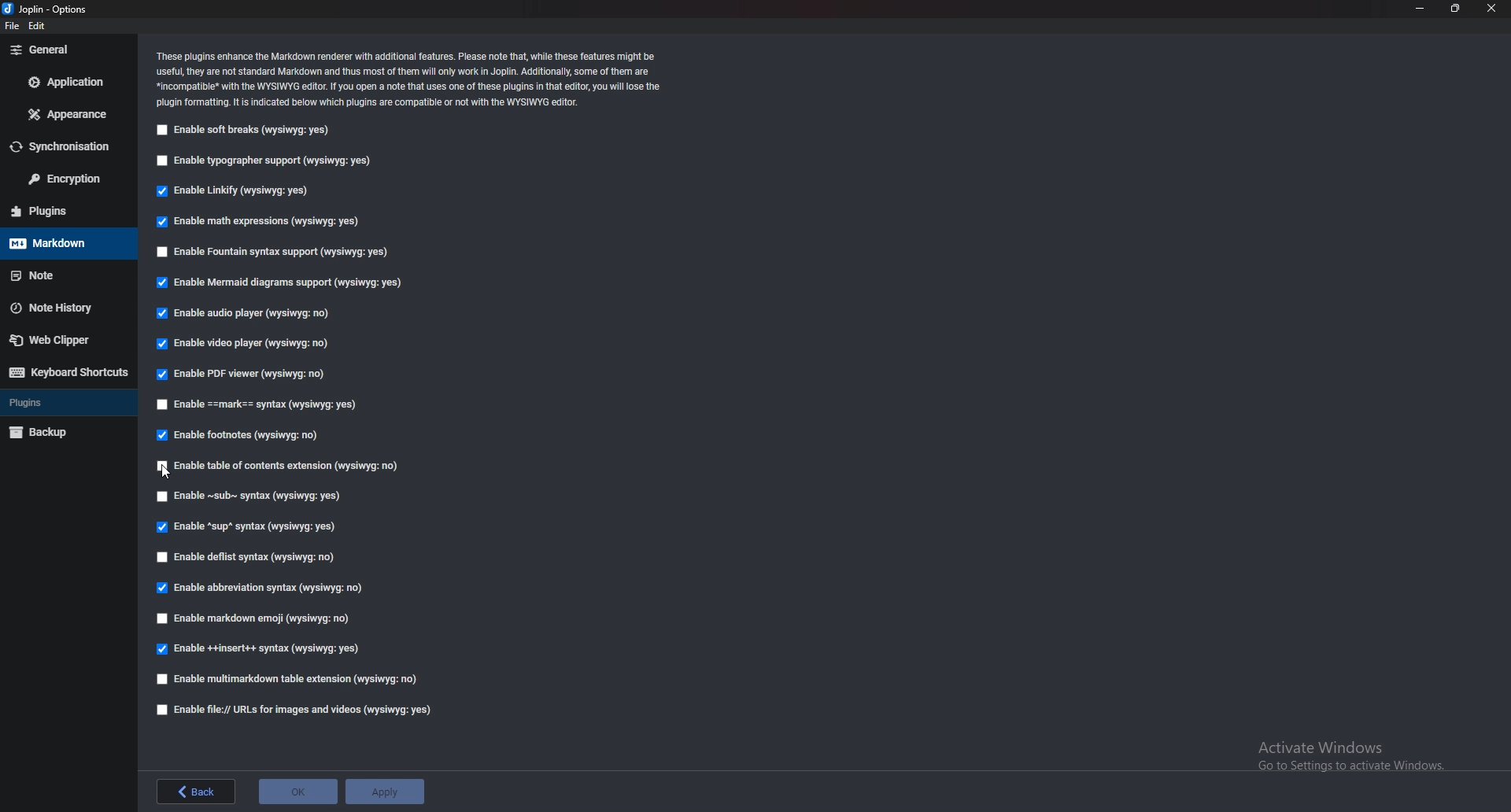 Image resolution: width=1511 pixels, height=812 pixels. What do you see at coordinates (275, 220) in the screenshot?
I see `Enable math expressions` at bounding box center [275, 220].